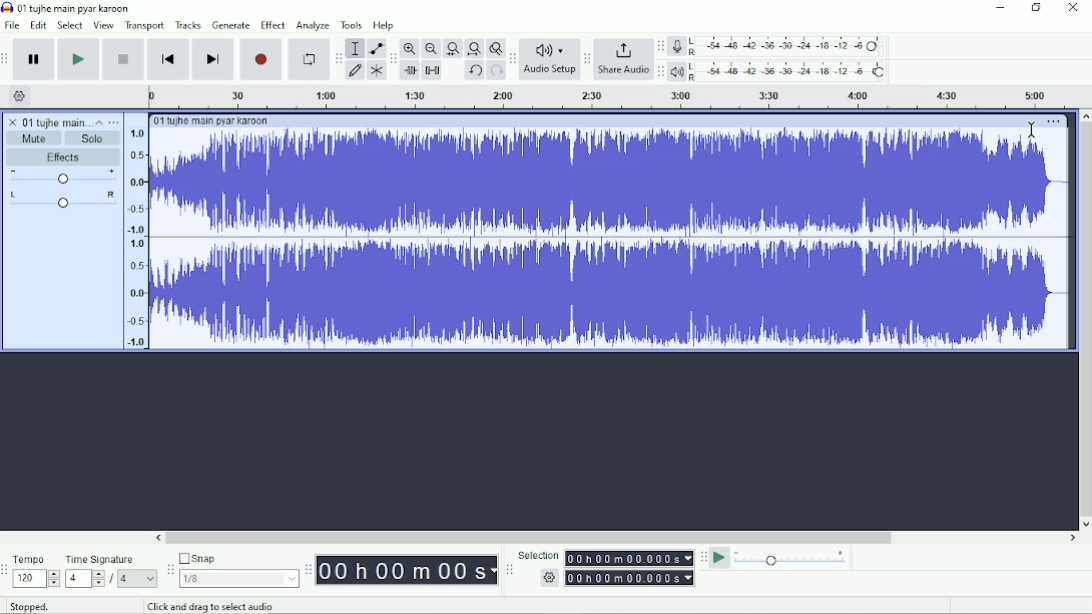  Describe the element at coordinates (140, 578) in the screenshot. I see `4` at that location.